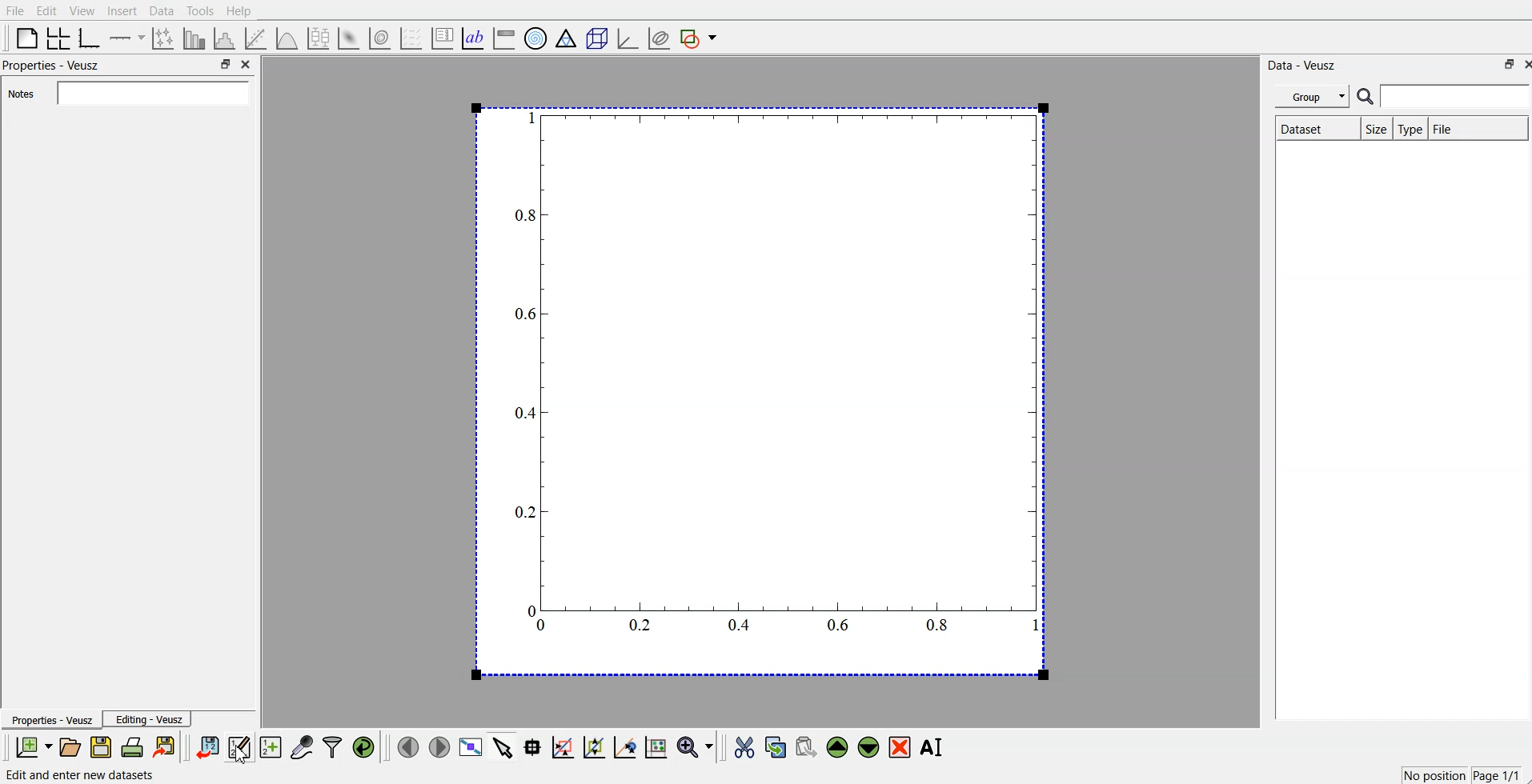 This screenshot has height=784, width=1532. What do you see at coordinates (239, 12) in the screenshot?
I see `Help` at bounding box center [239, 12].